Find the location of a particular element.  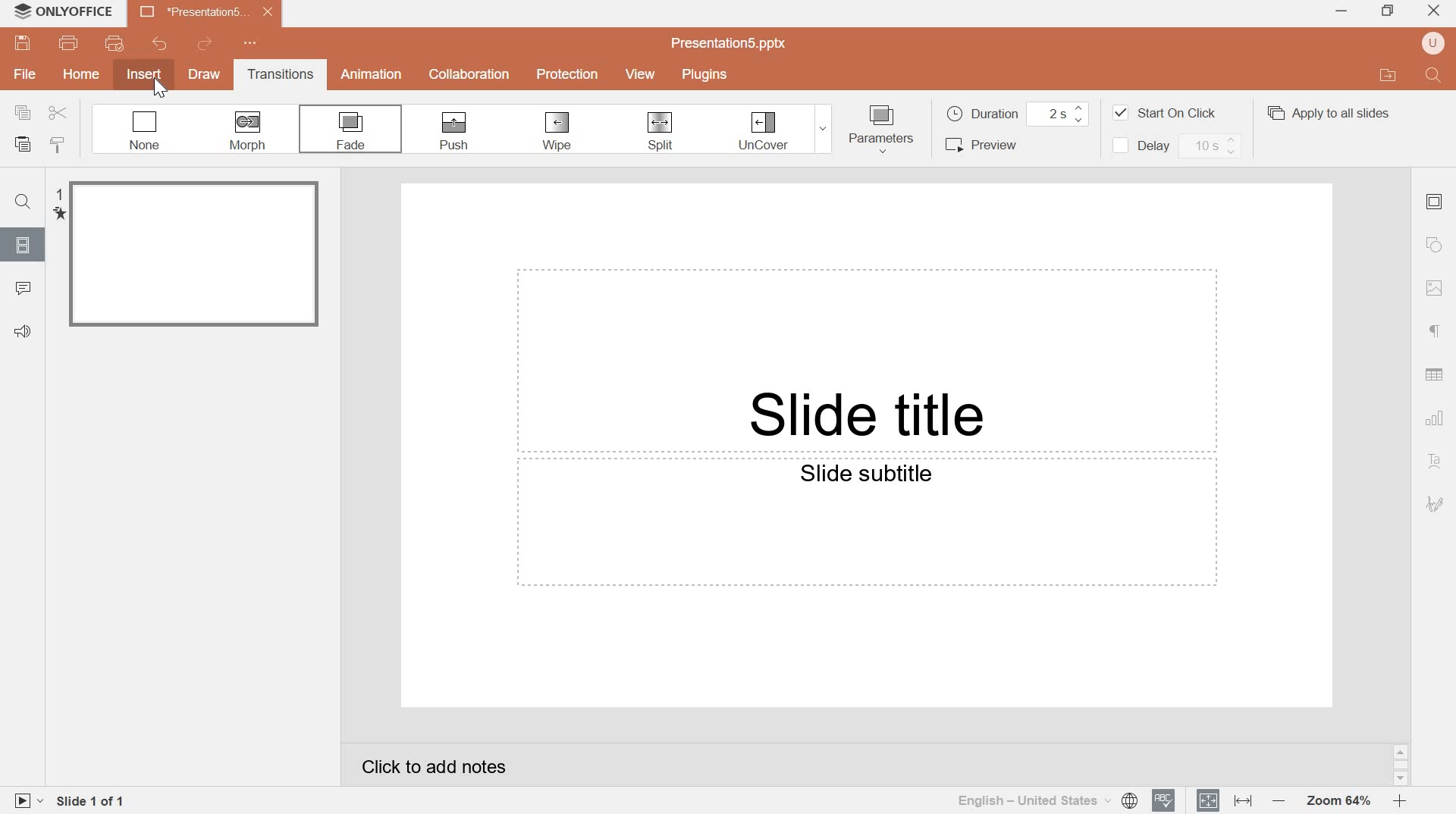

split is located at coordinates (659, 131).